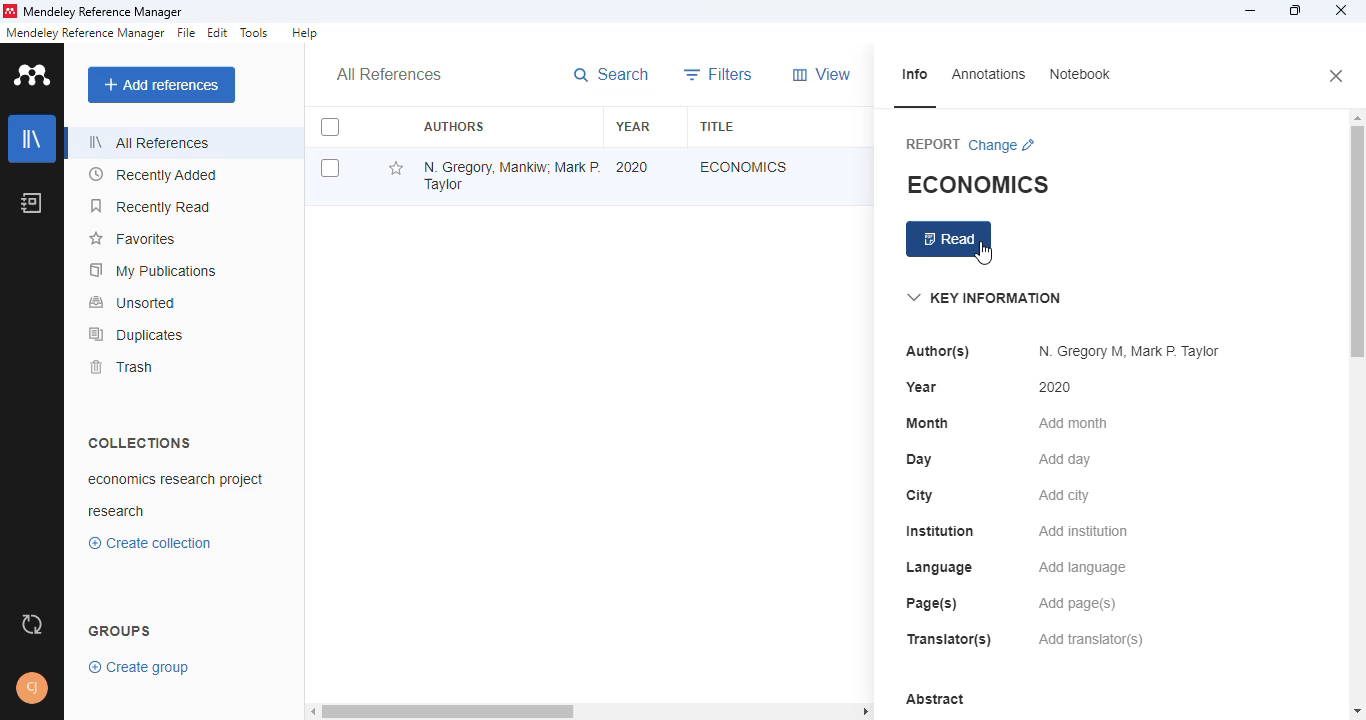 This screenshot has height=720, width=1366. Describe the element at coordinates (952, 639) in the screenshot. I see `translator(s)` at that location.